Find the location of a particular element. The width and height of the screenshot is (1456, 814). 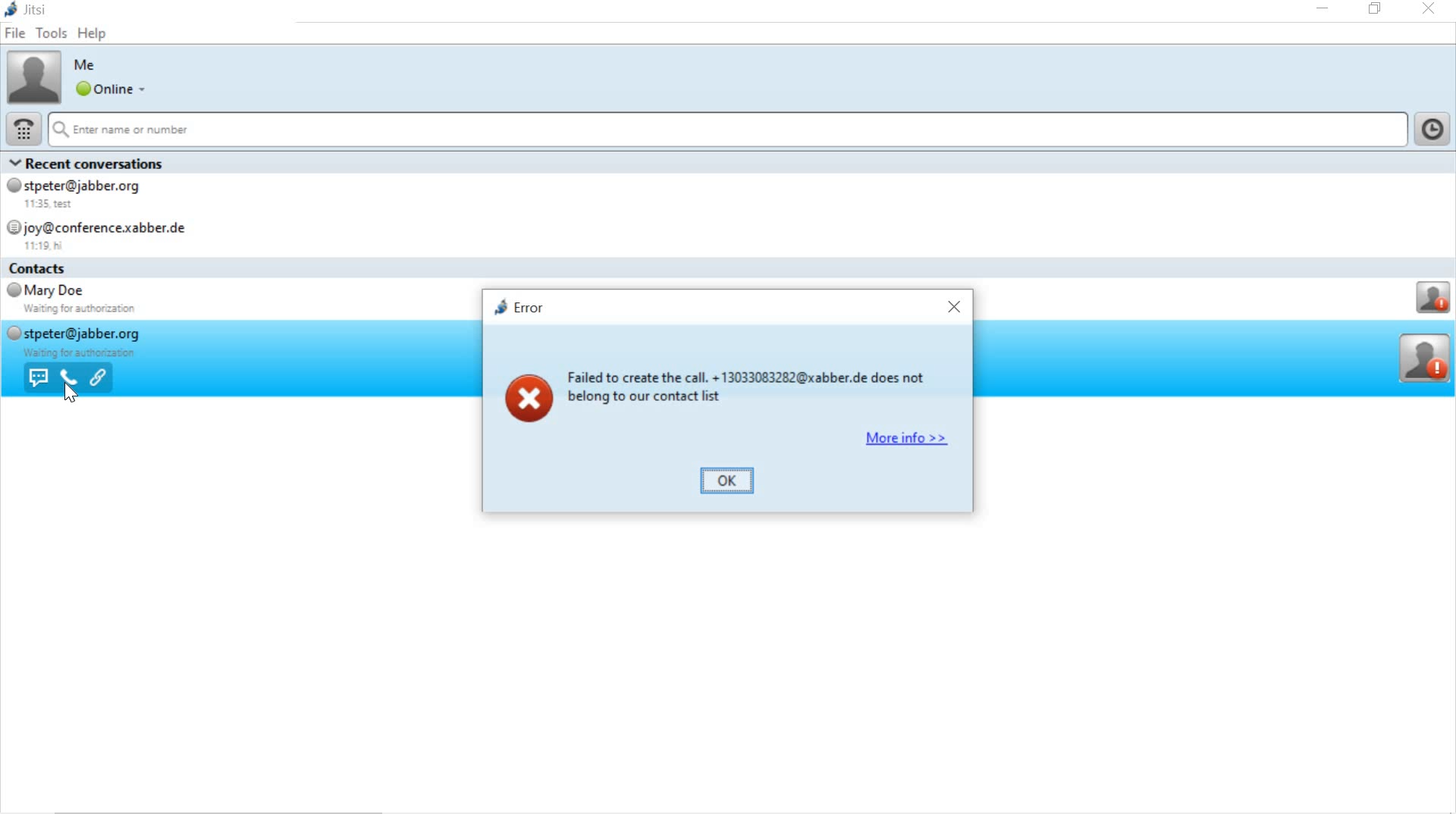

restore down is located at coordinates (1376, 9).